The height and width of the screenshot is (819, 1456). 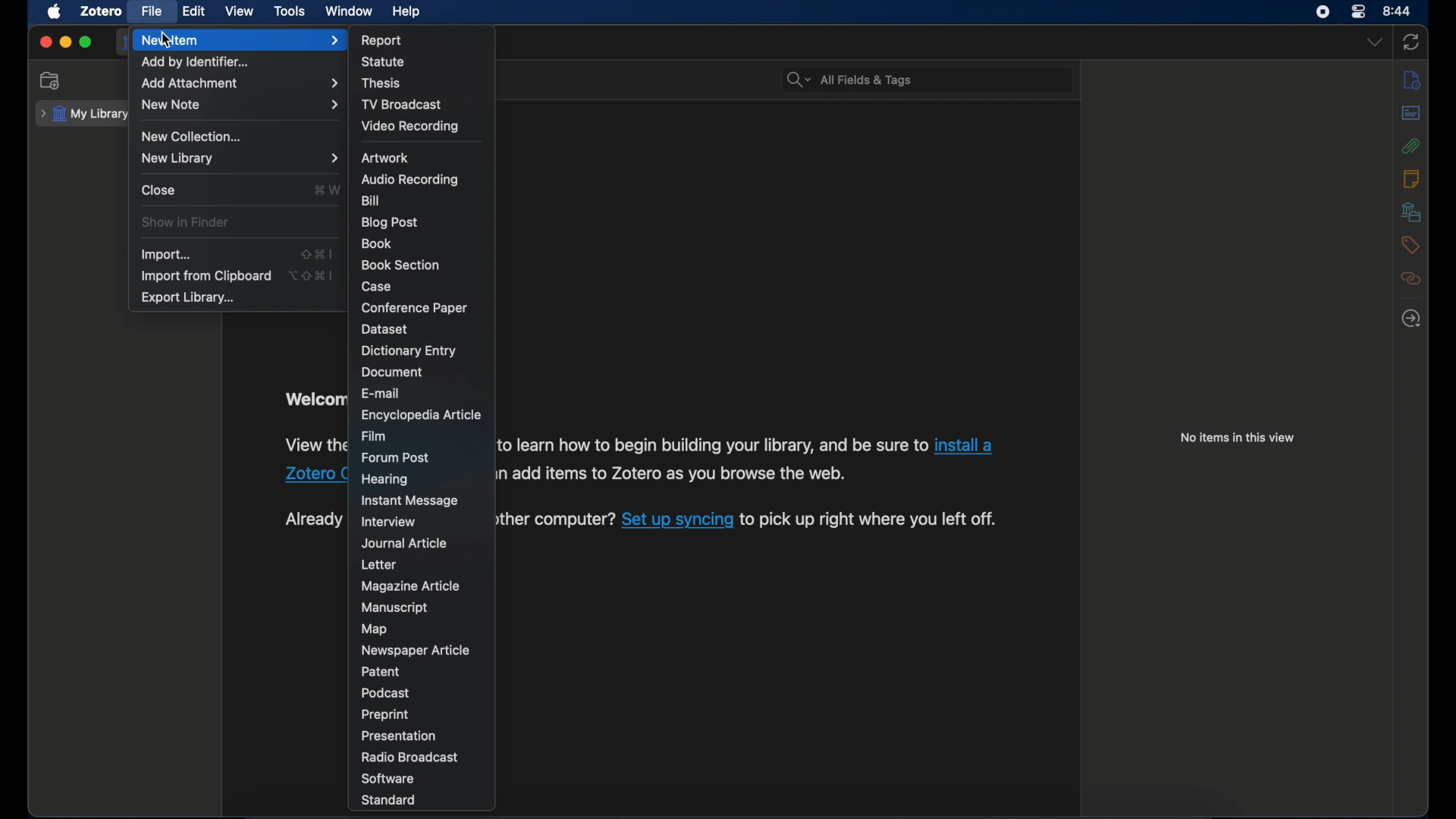 I want to click on tv broadcast, so click(x=402, y=104).